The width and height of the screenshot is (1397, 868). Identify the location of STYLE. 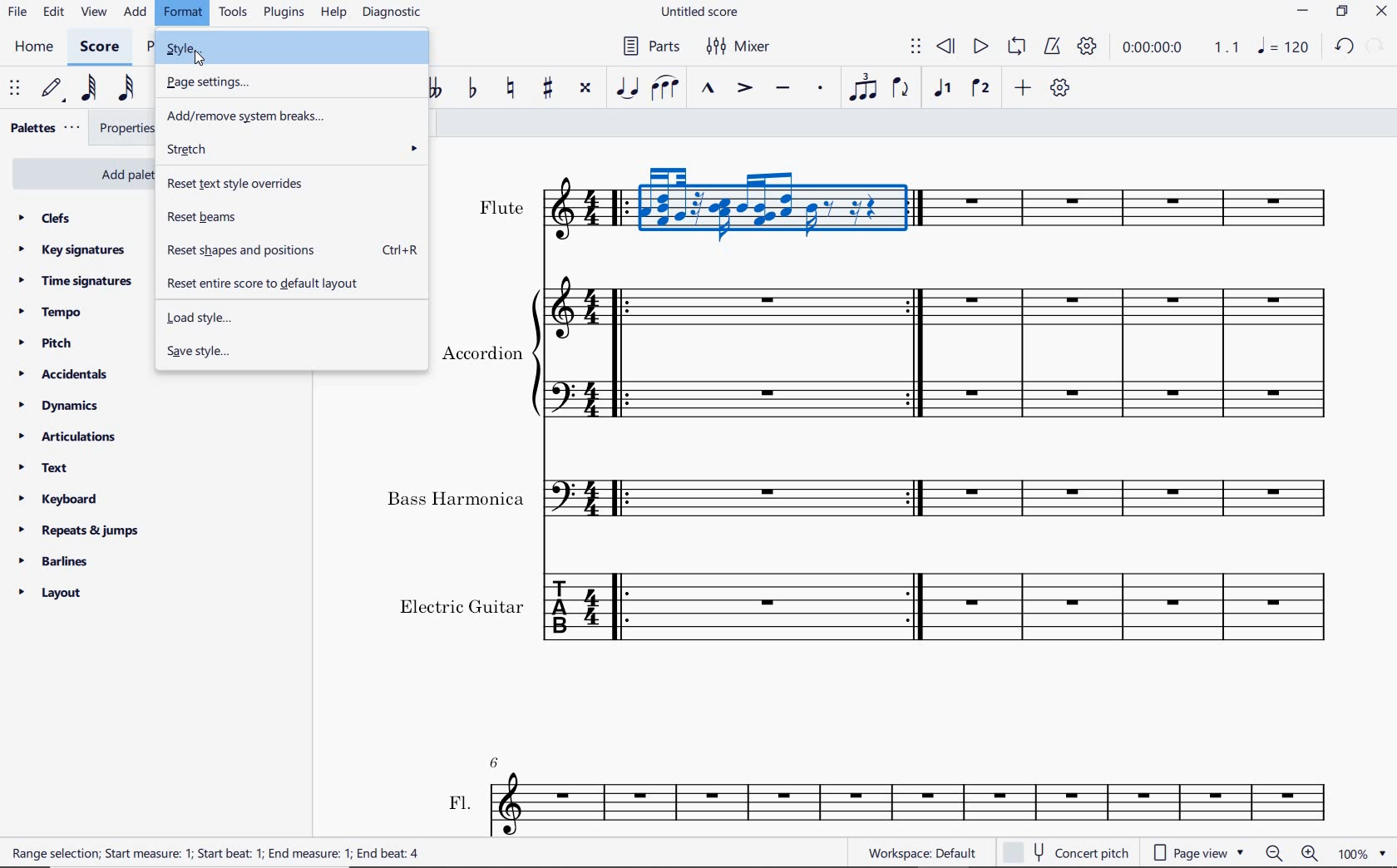
(294, 49).